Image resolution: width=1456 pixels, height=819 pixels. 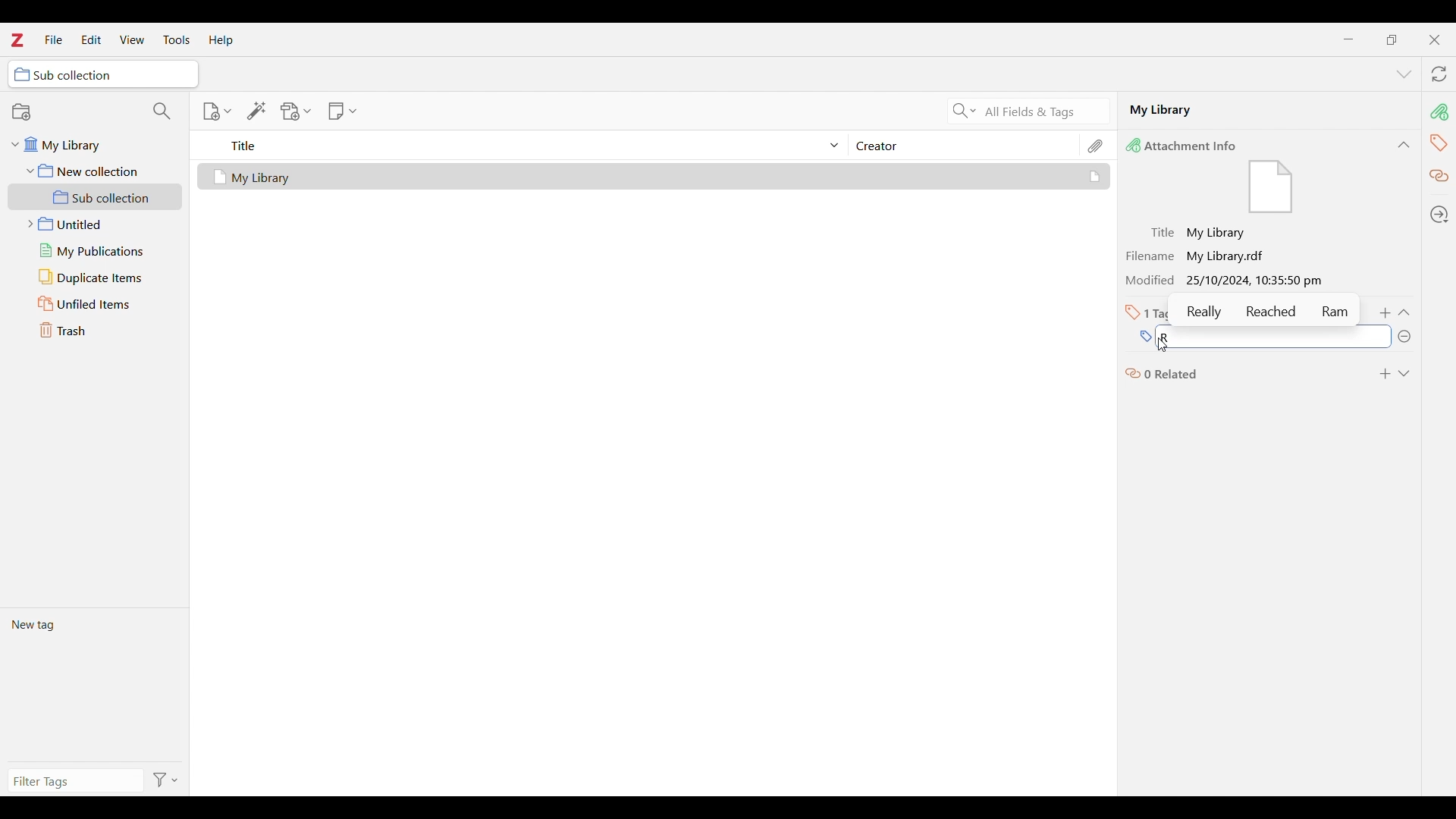 What do you see at coordinates (177, 39) in the screenshot?
I see `Tools menu` at bounding box center [177, 39].